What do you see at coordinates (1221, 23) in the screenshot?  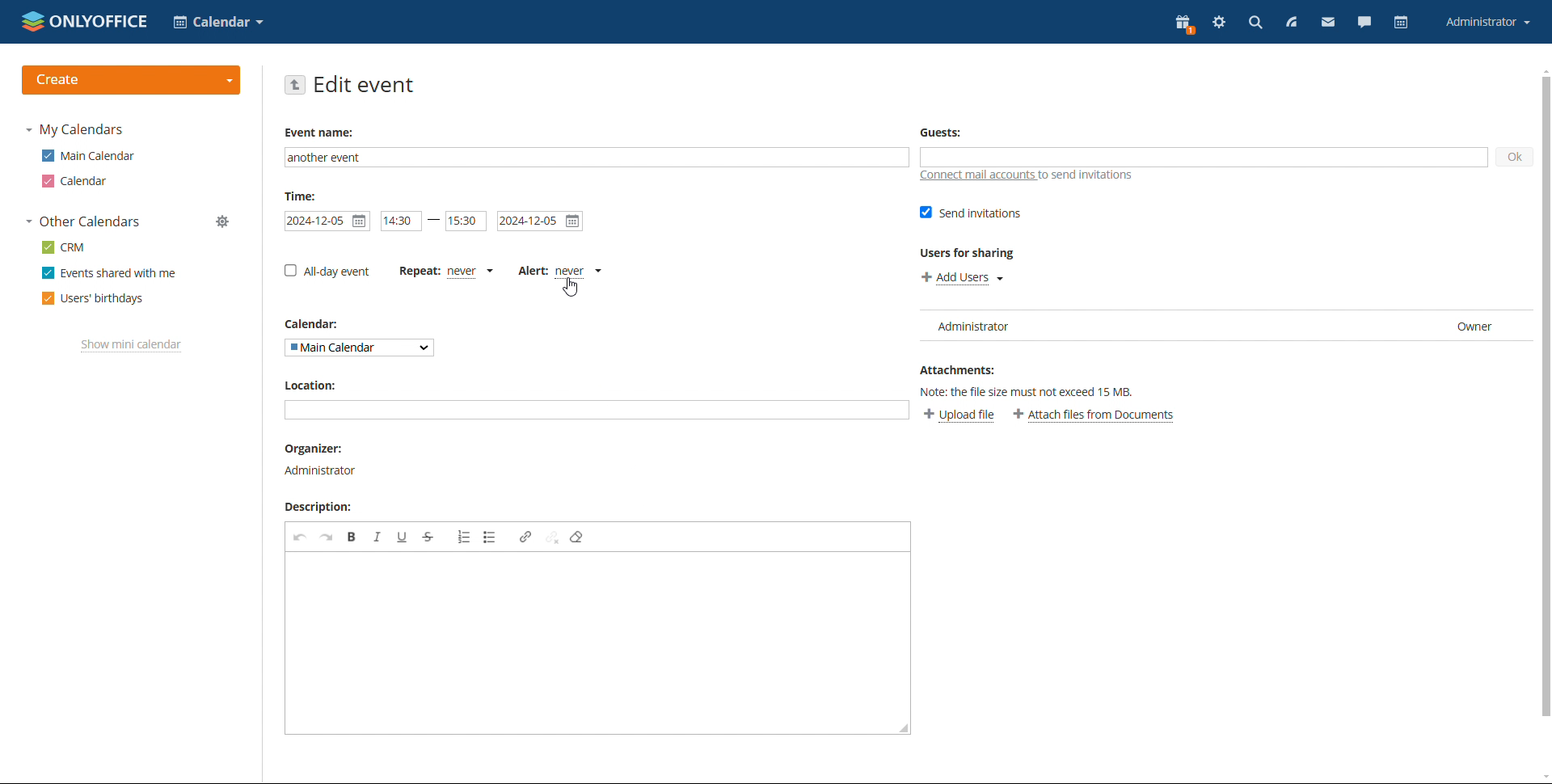 I see `settings` at bounding box center [1221, 23].